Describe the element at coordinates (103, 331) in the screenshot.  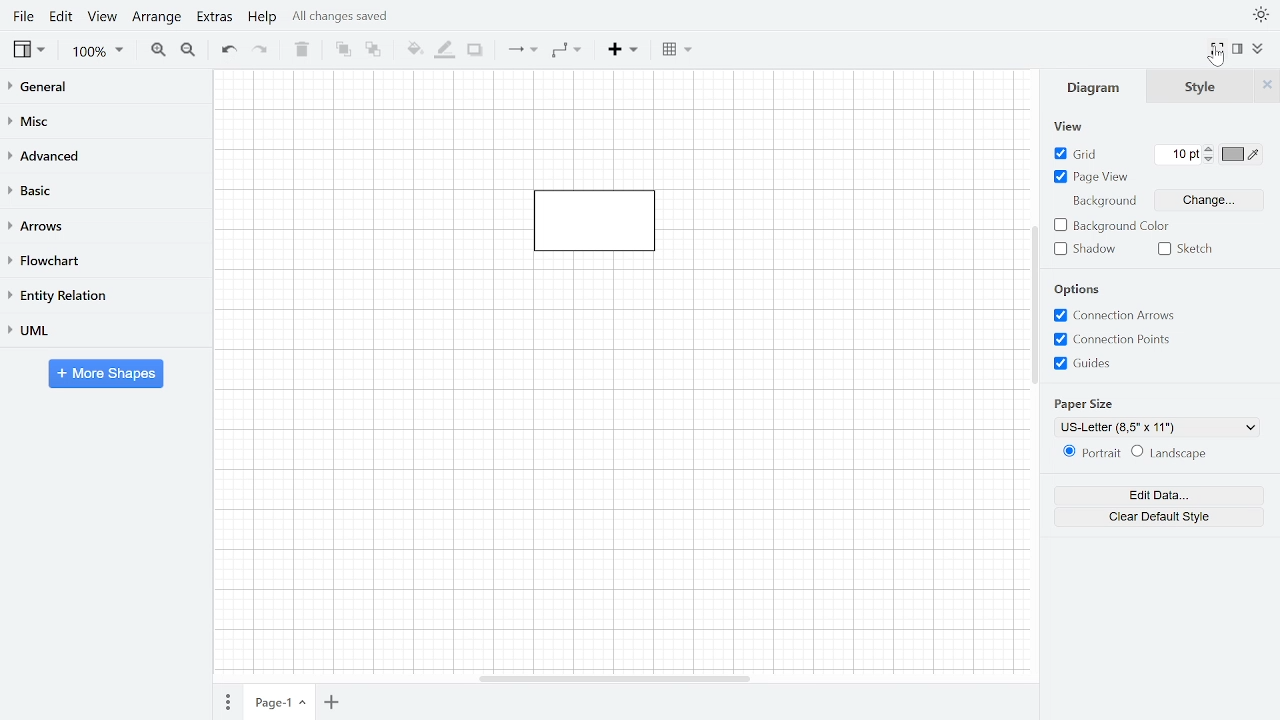
I see `UML` at that location.